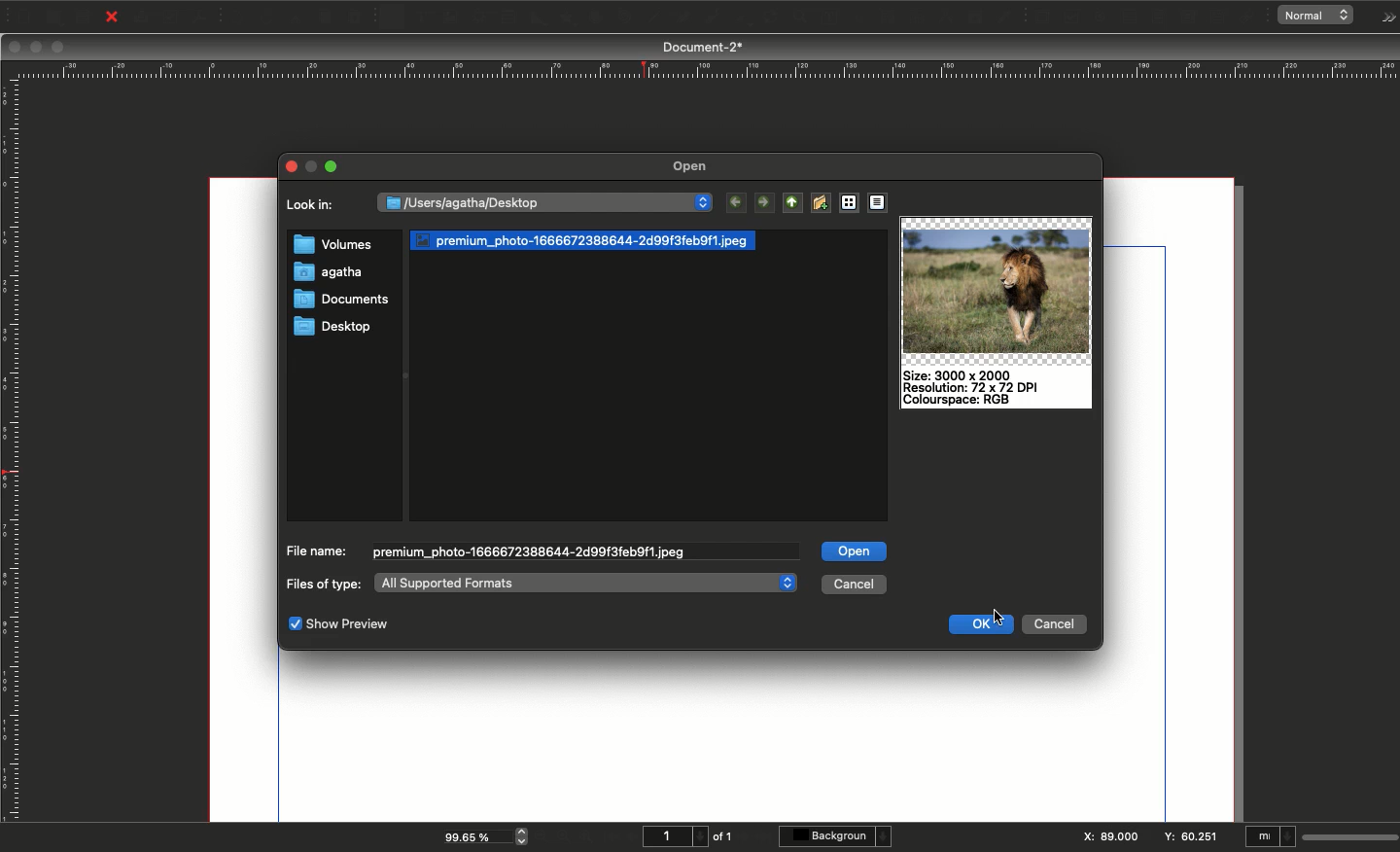  I want to click on Background, so click(838, 836).